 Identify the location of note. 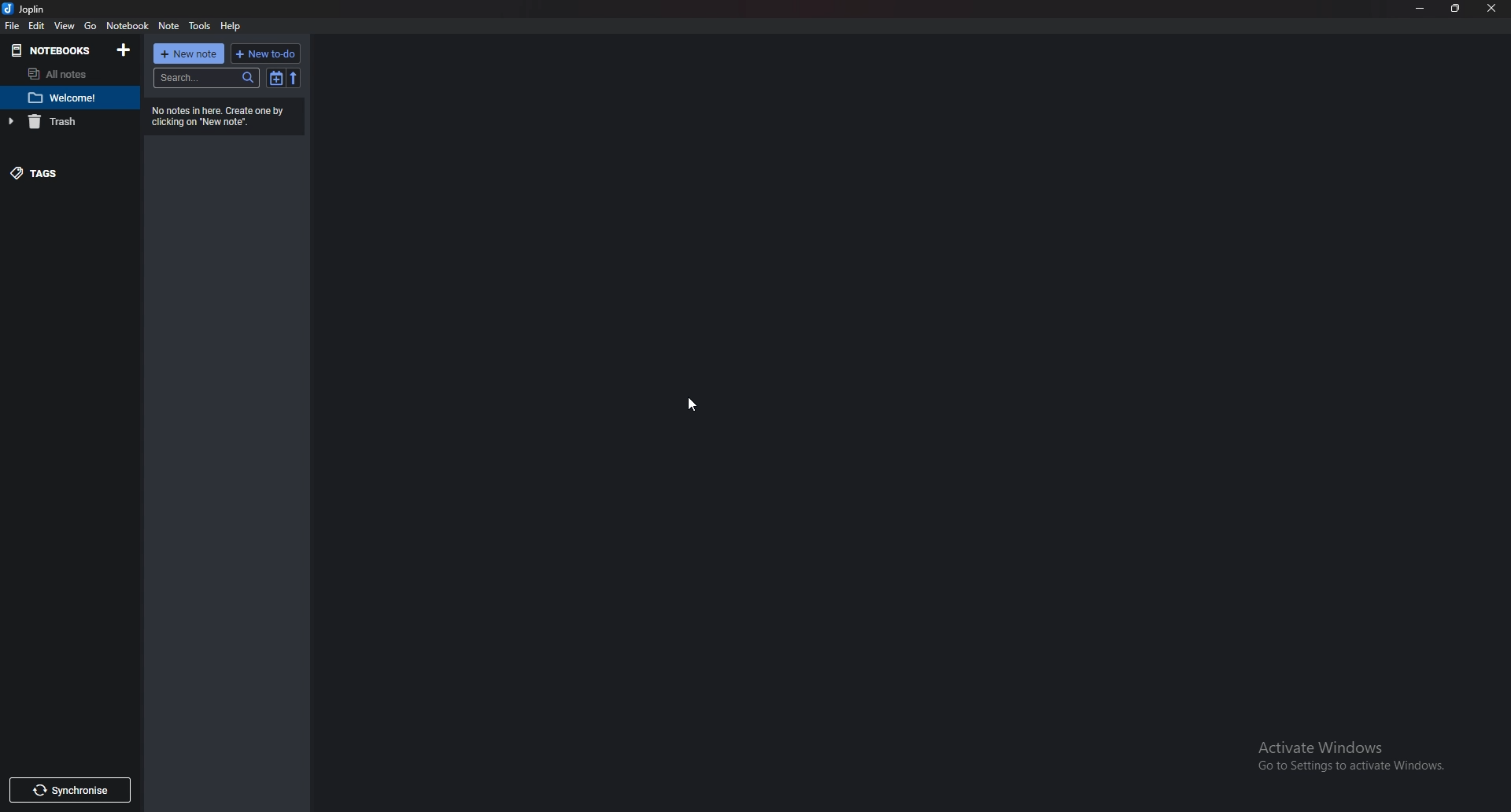
(67, 99).